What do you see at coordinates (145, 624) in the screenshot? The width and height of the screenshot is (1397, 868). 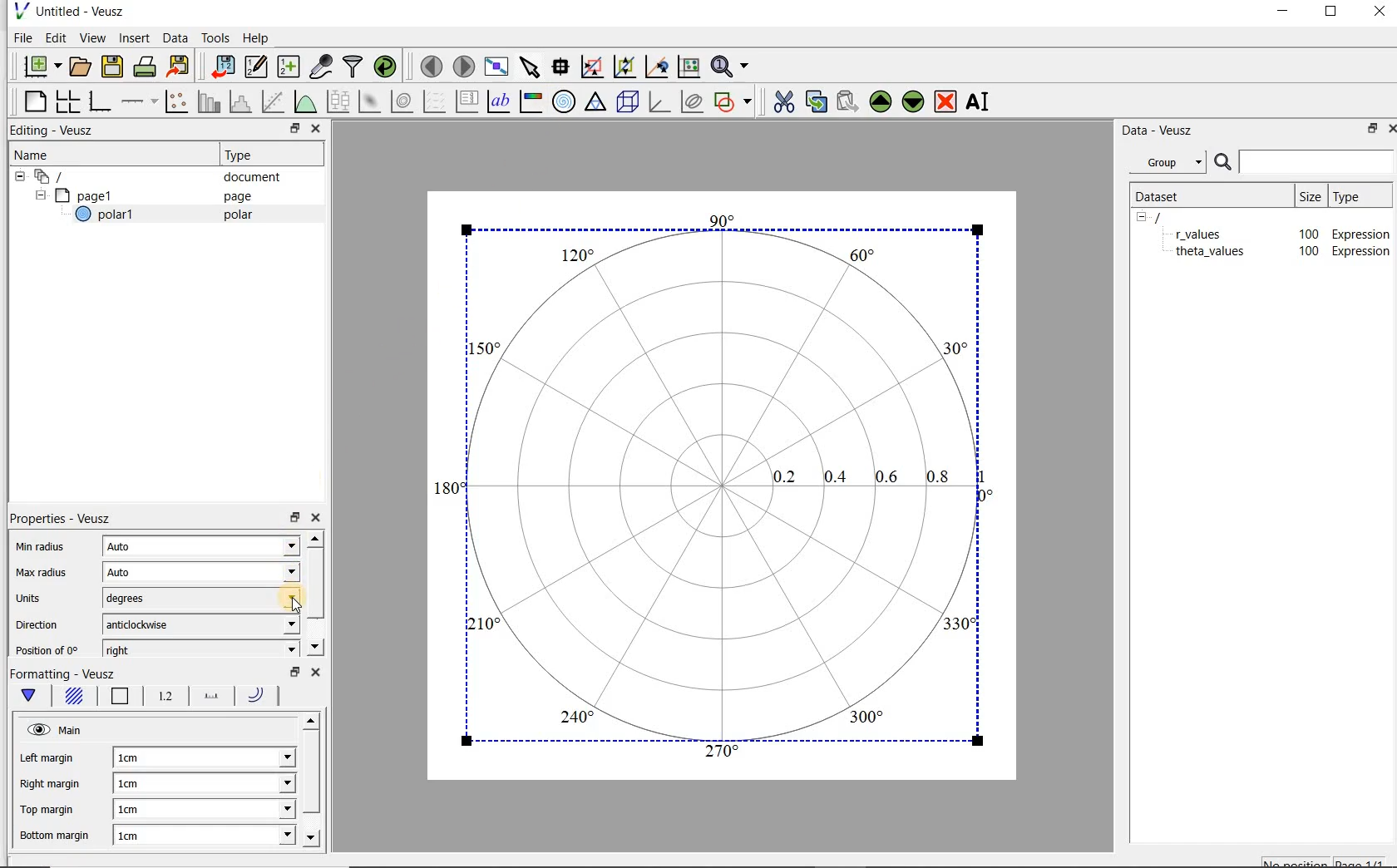 I see `anticlockwise` at bounding box center [145, 624].